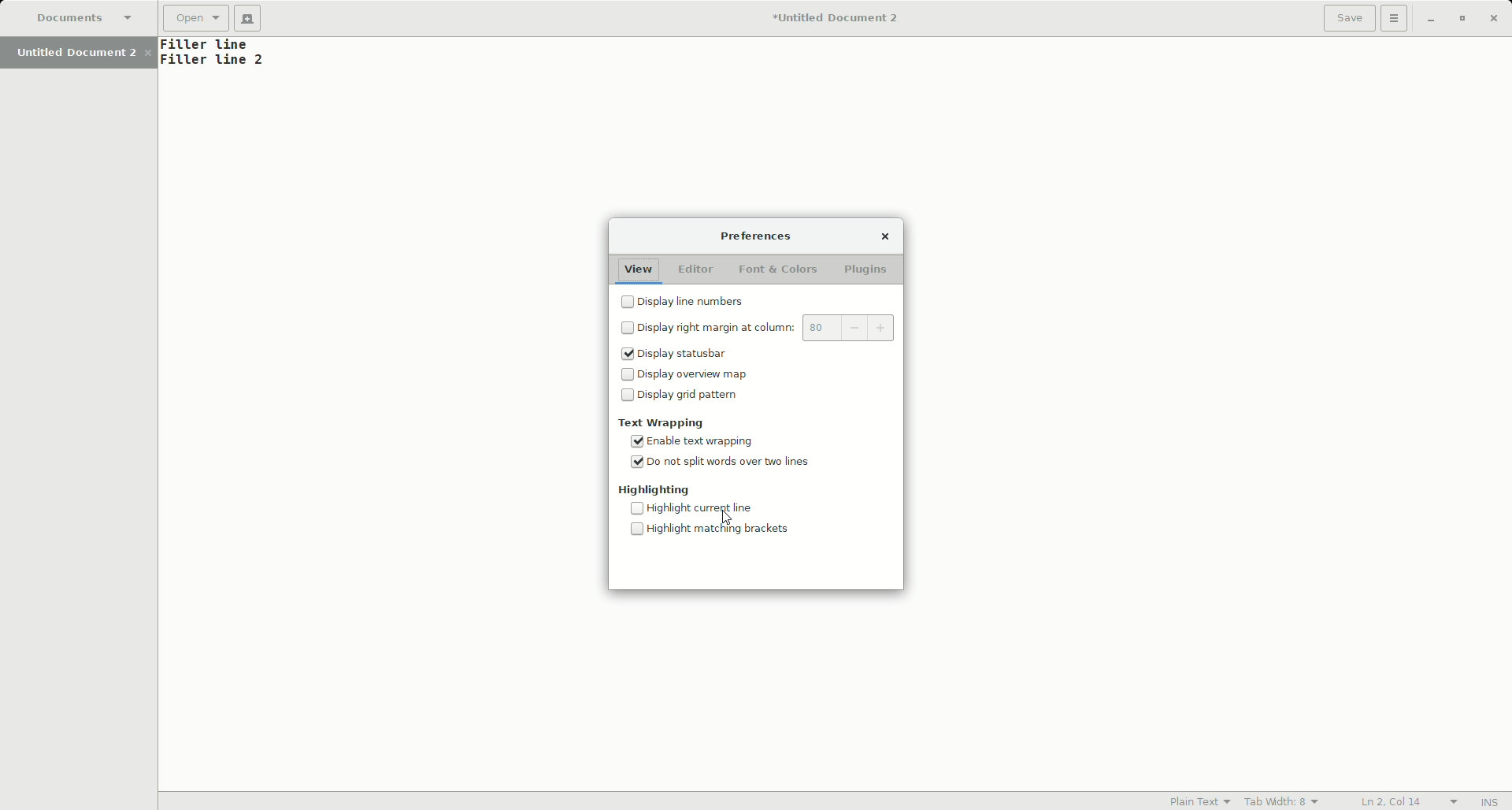  I want to click on Text Wrapping, so click(663, 422).